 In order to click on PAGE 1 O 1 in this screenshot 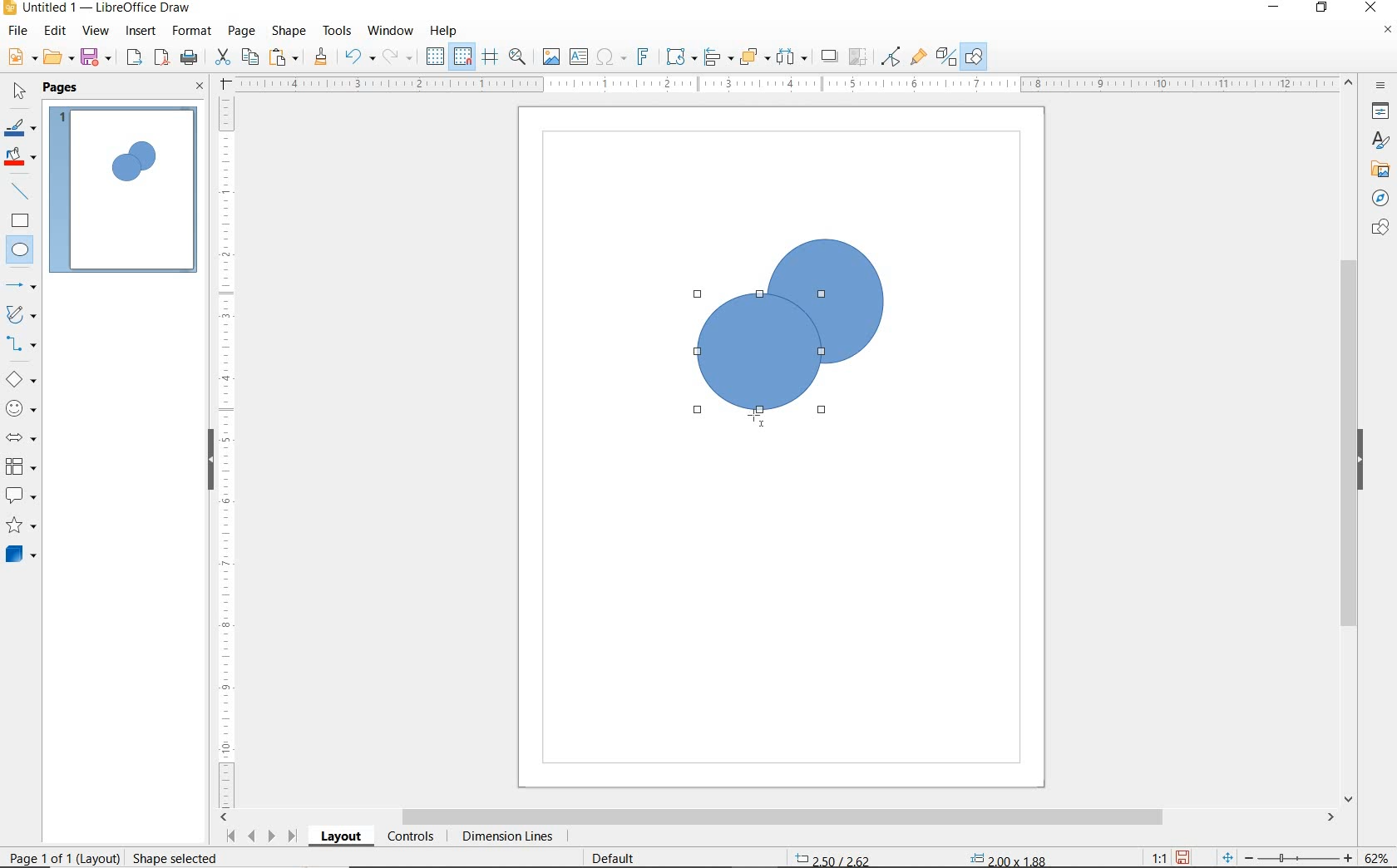, I will do `click(54, 851)`.